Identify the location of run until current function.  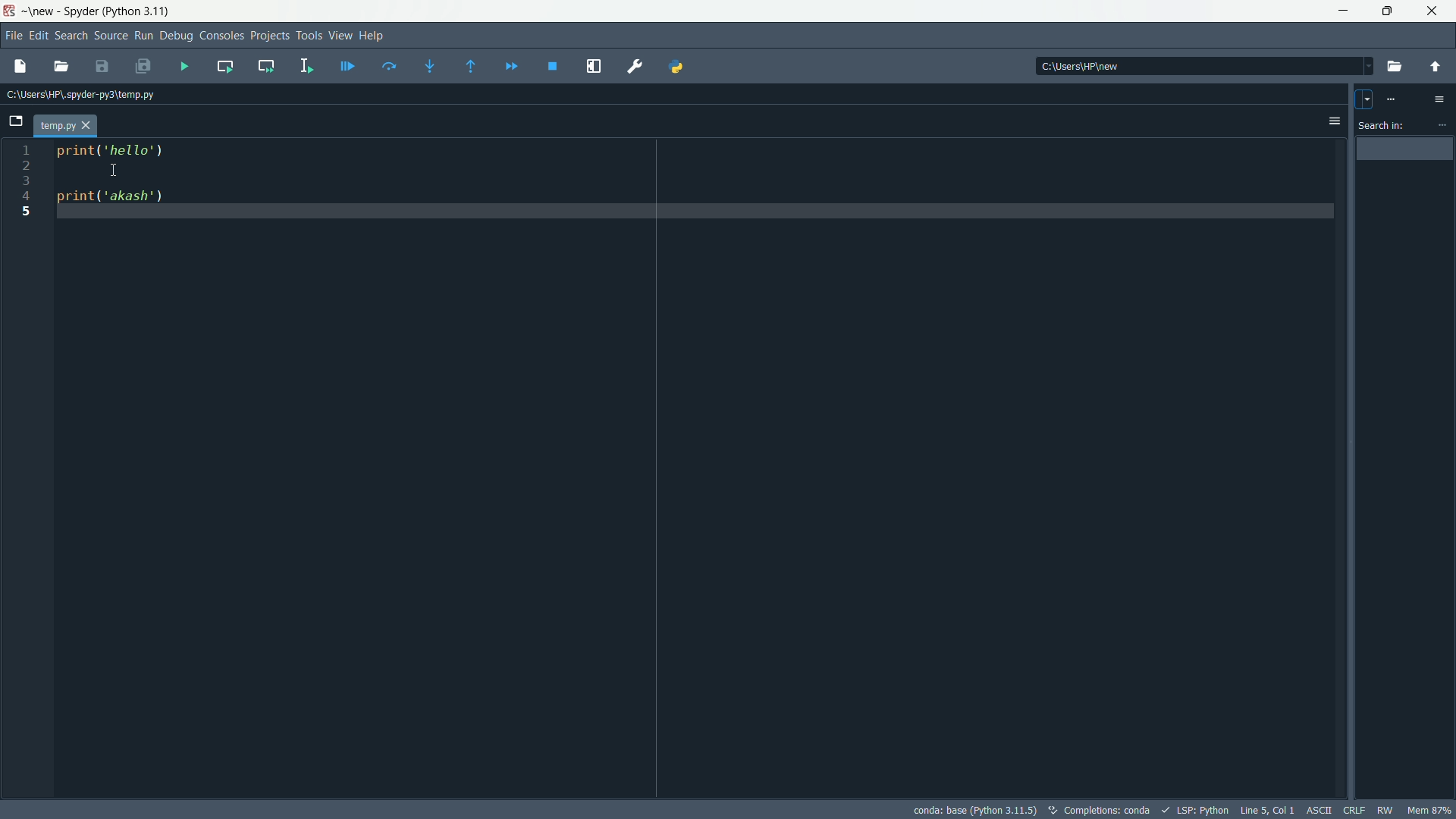
(474, 67).